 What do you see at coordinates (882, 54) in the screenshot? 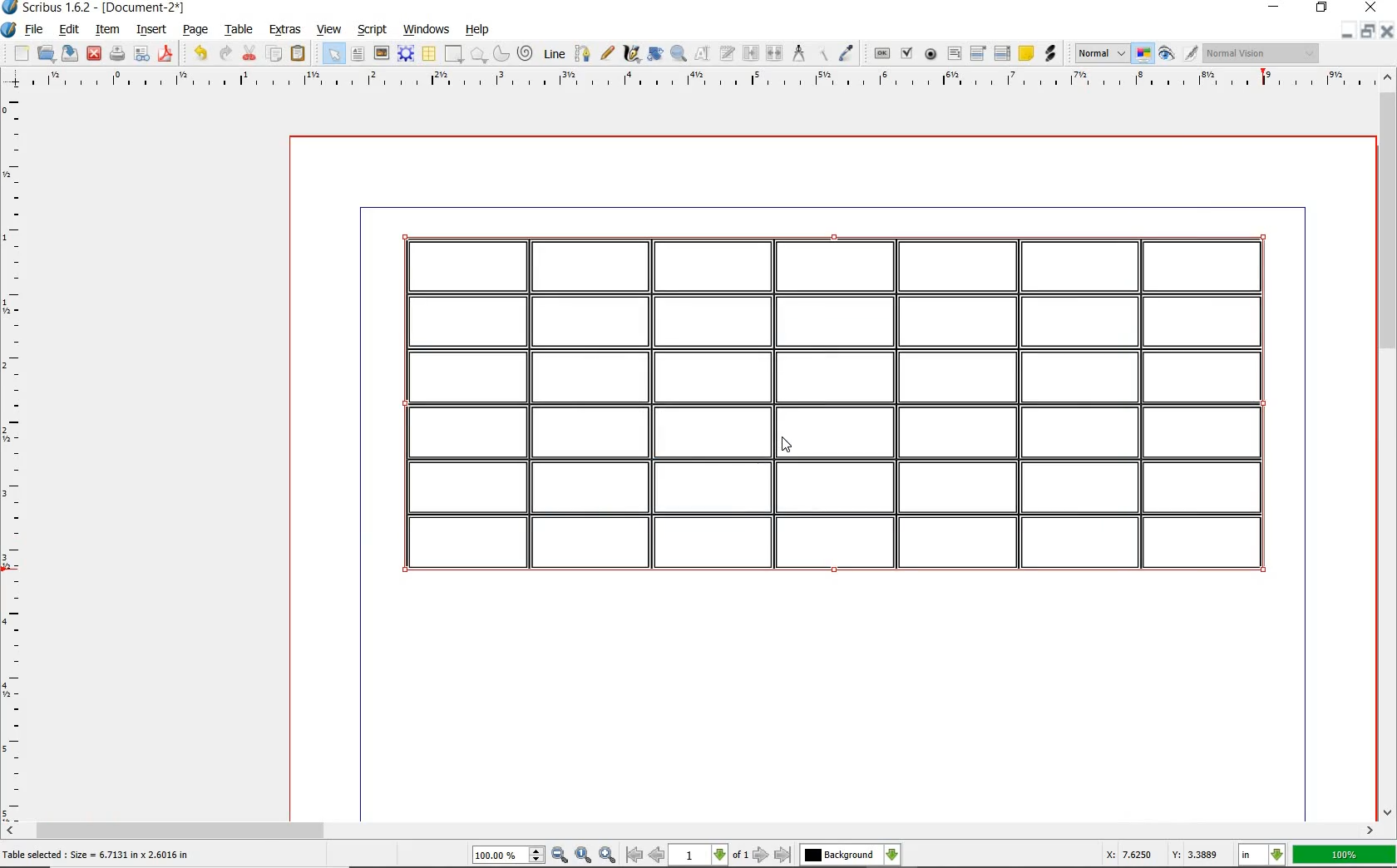
I see `pdf push button` at bounding box center [882, 54].